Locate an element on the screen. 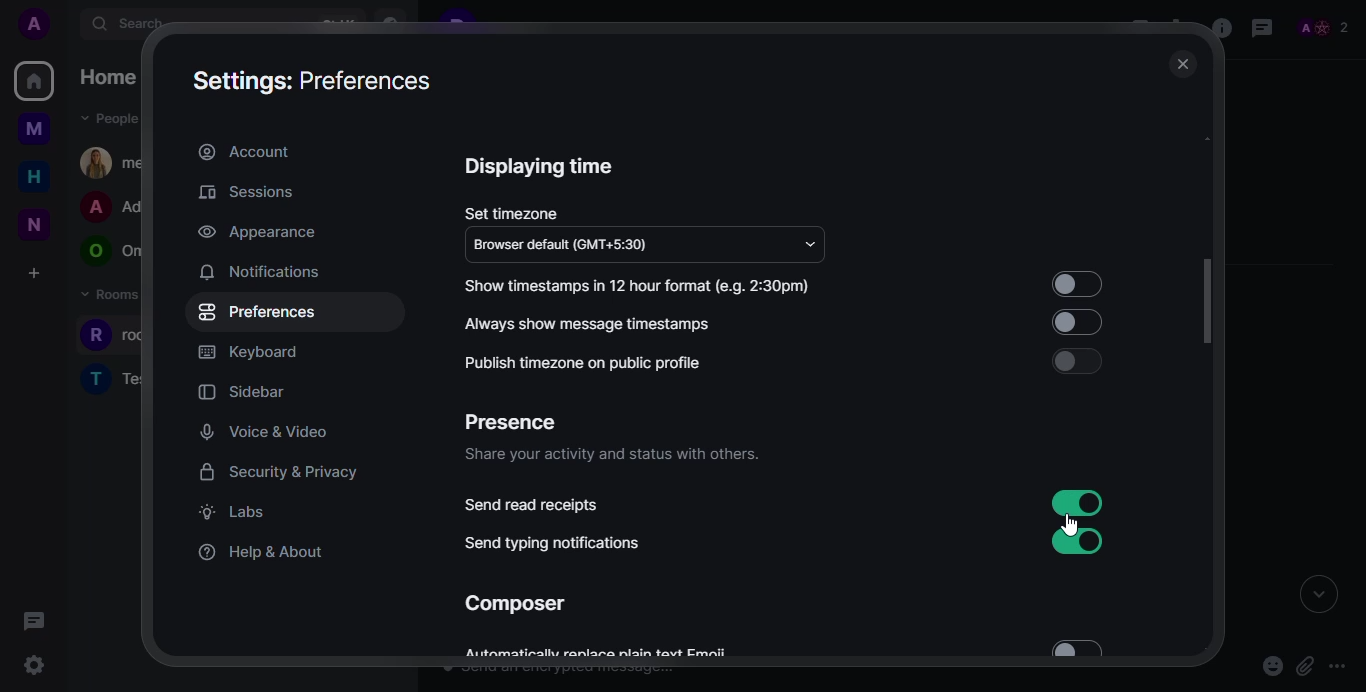 This screenshot has width=1366, height=692. emoji is located at coordinates (1271, 667).